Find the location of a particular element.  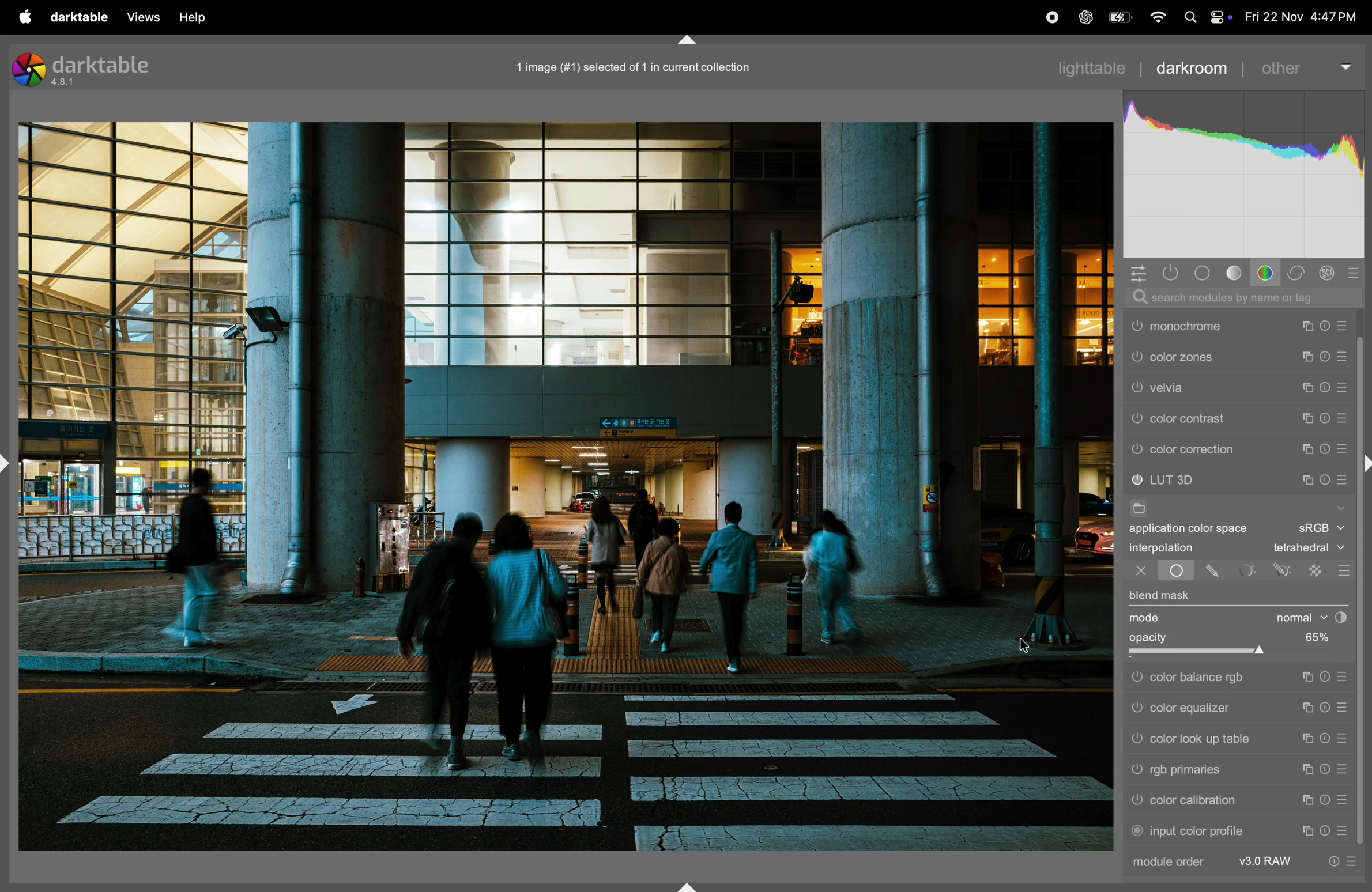

0% is located at coordinates (1310, 636).